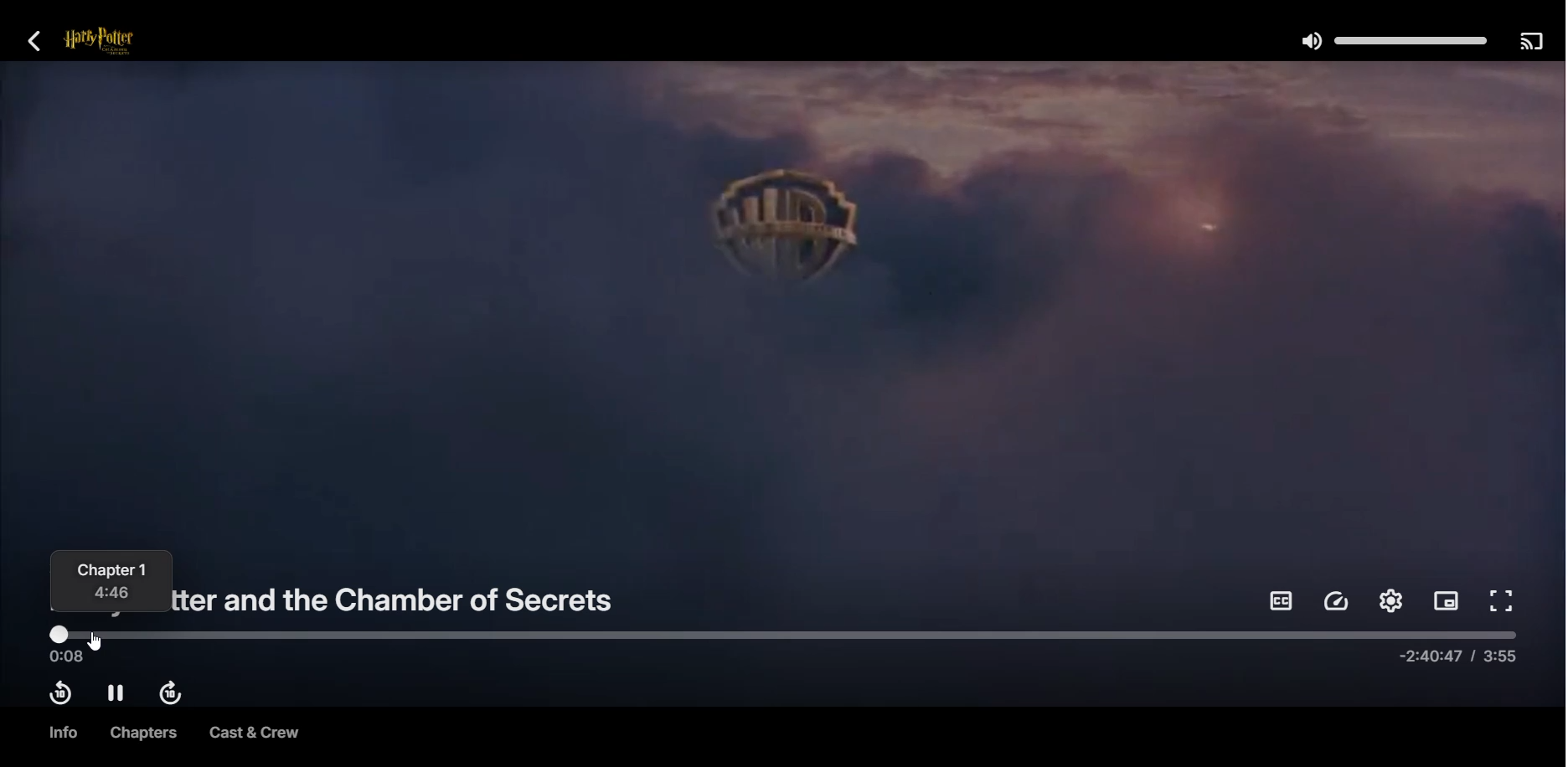  What do you see at coordinates (35, 40) in the screenshot?
I see `Back` at bounding box center [35, 40].